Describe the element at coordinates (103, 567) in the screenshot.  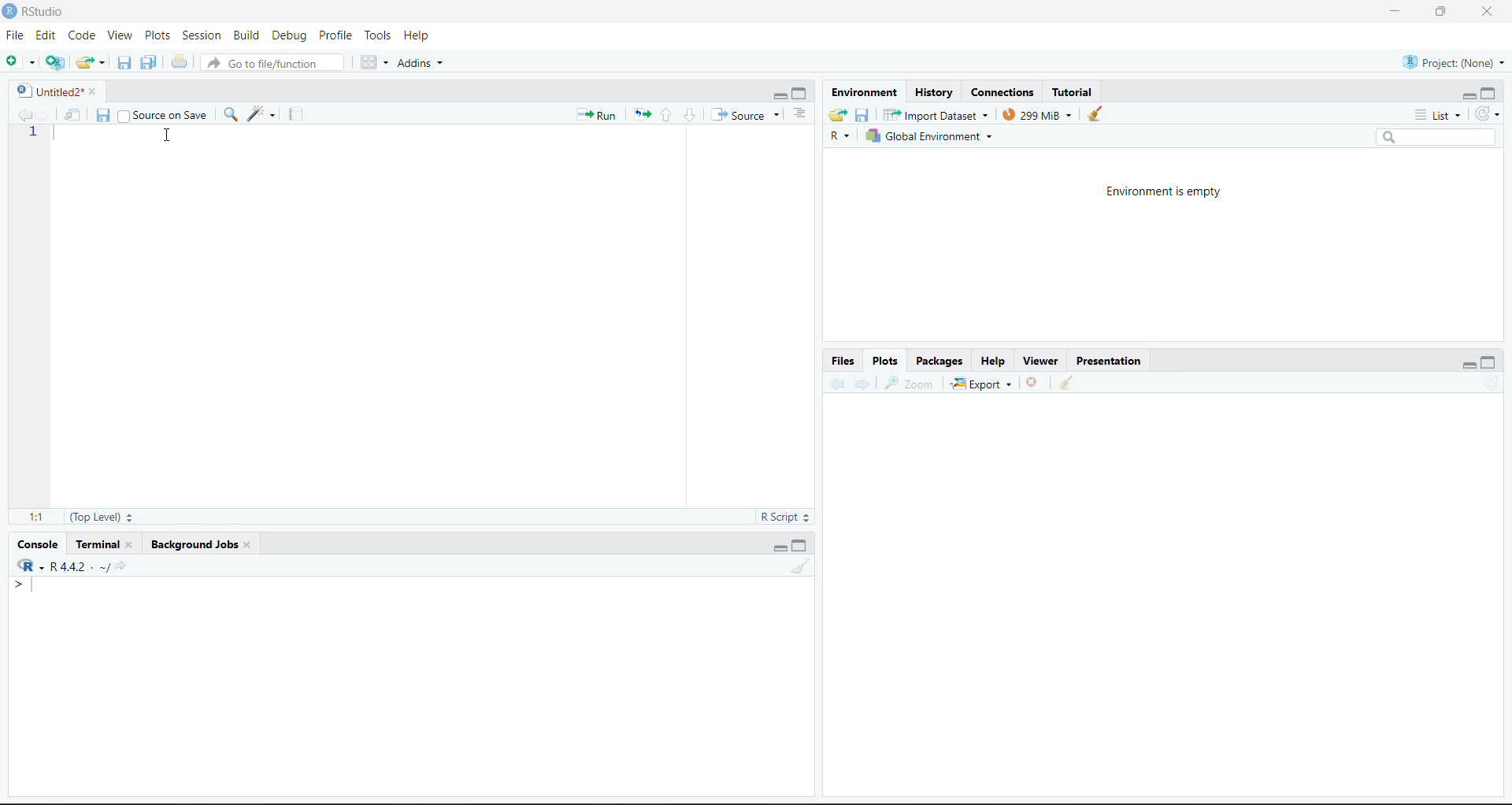
I see `.~/` at that location.